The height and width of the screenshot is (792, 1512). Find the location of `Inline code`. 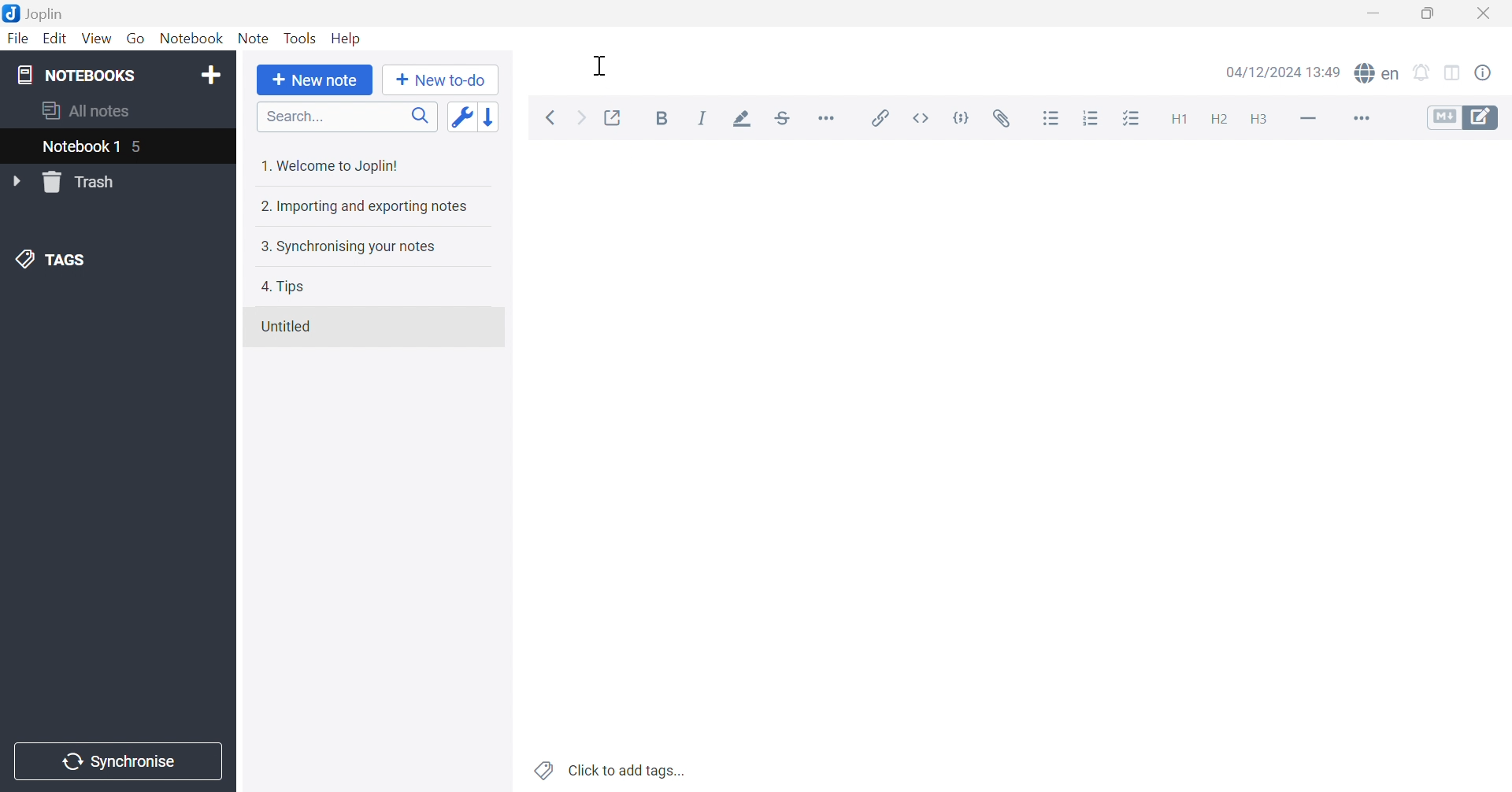

Inline code is located at coordinates (925, 117).